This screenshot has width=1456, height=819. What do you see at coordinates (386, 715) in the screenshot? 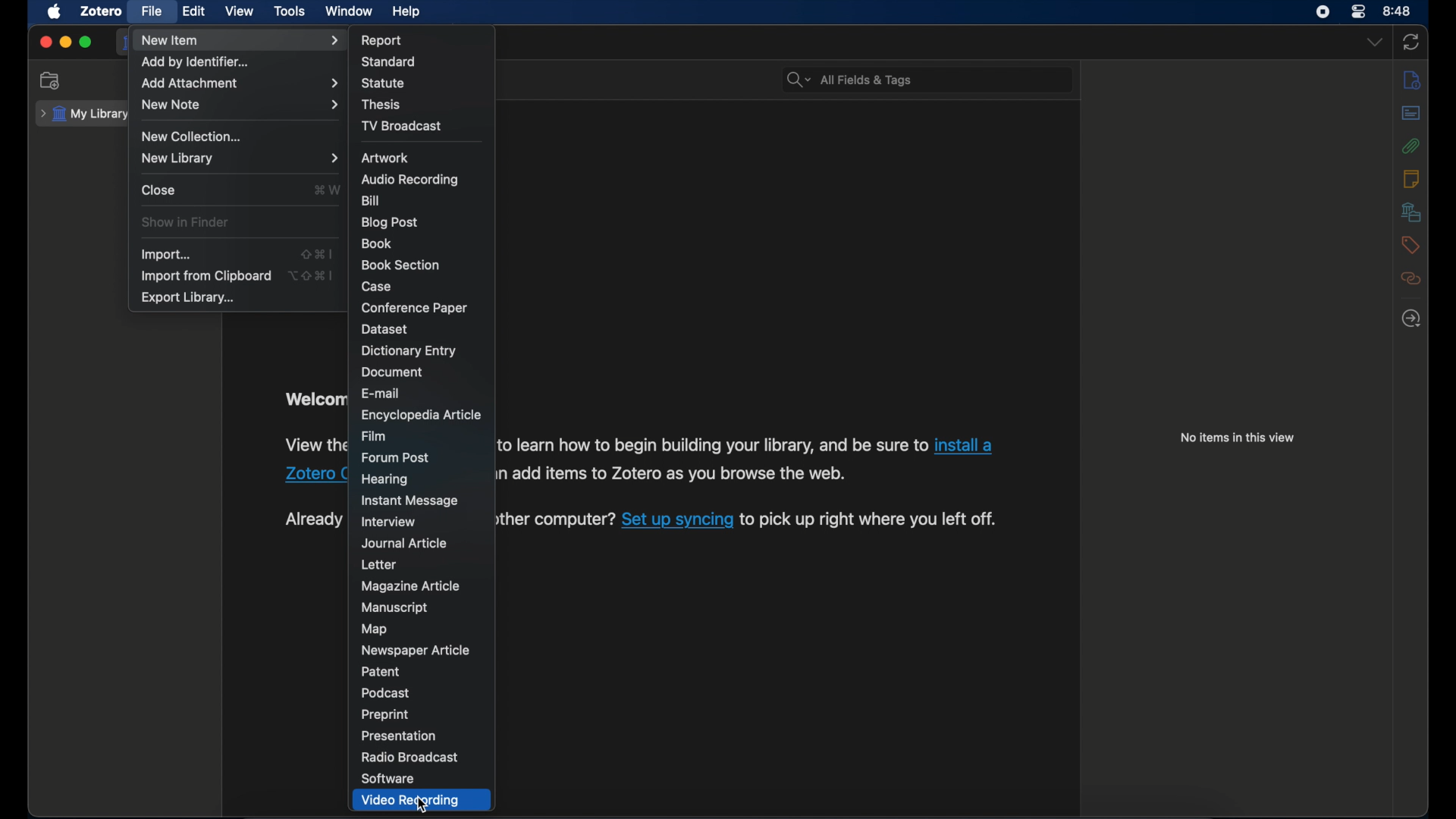
I see `preprint` at bounding box center [386, 715].